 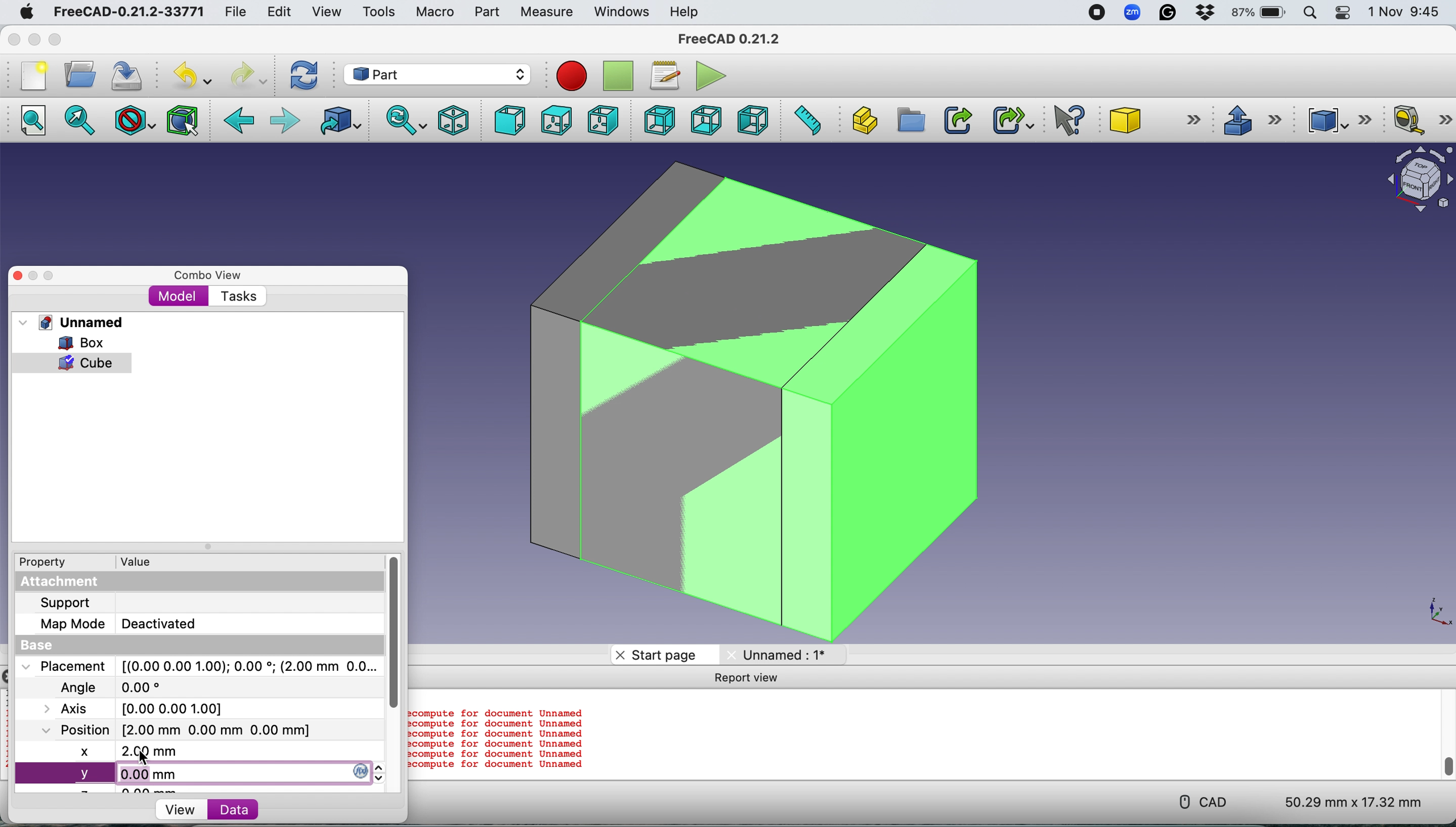 What do you see at coordinates (143, 708) in the screenshot?
I see `Axis [0.00 0.00 0.00]` at bounding box center [143, 708].